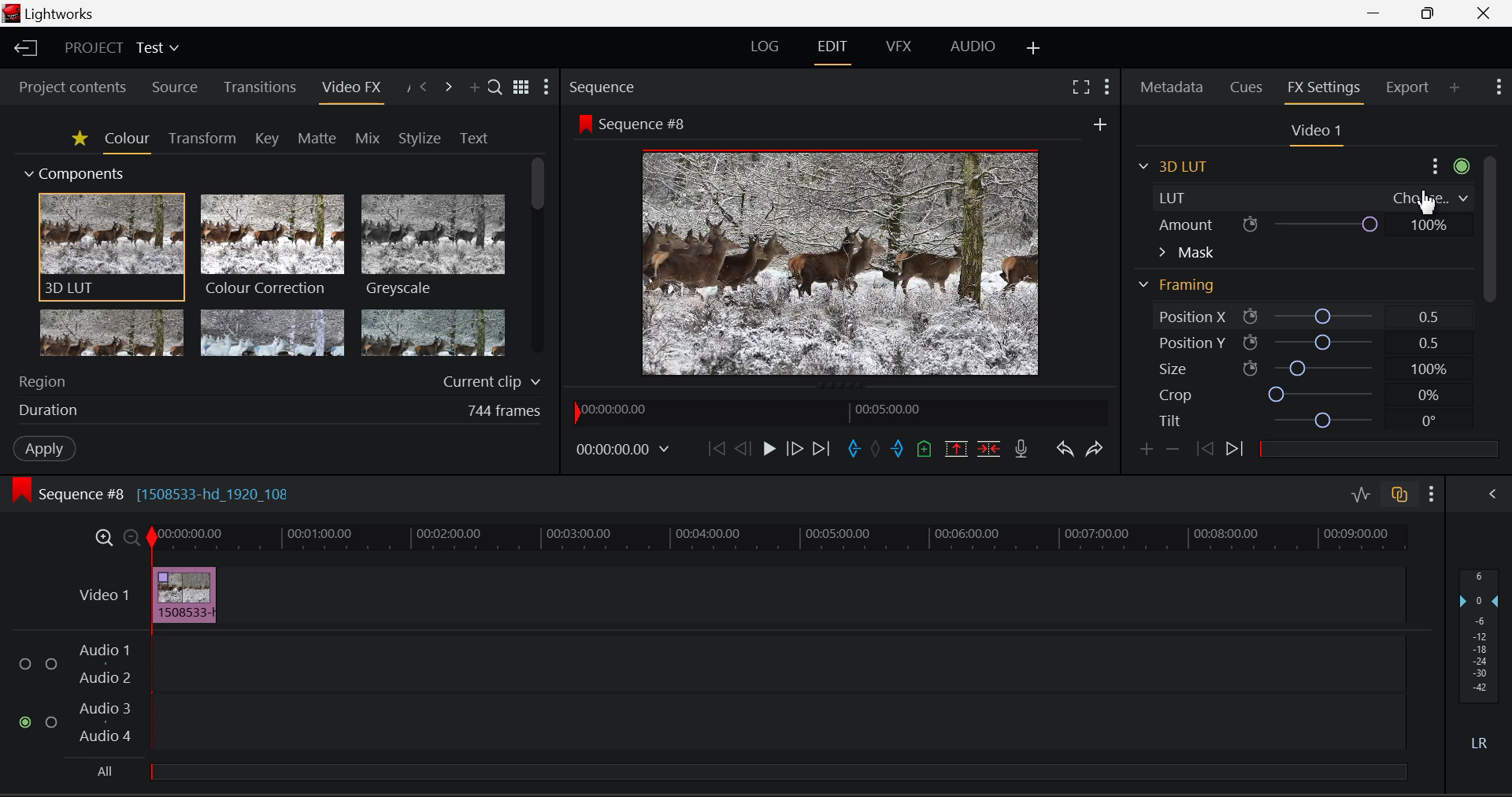 The height and width of the screenshot is (797, 1512). I want to click on Tilt, so click(1301, 420).